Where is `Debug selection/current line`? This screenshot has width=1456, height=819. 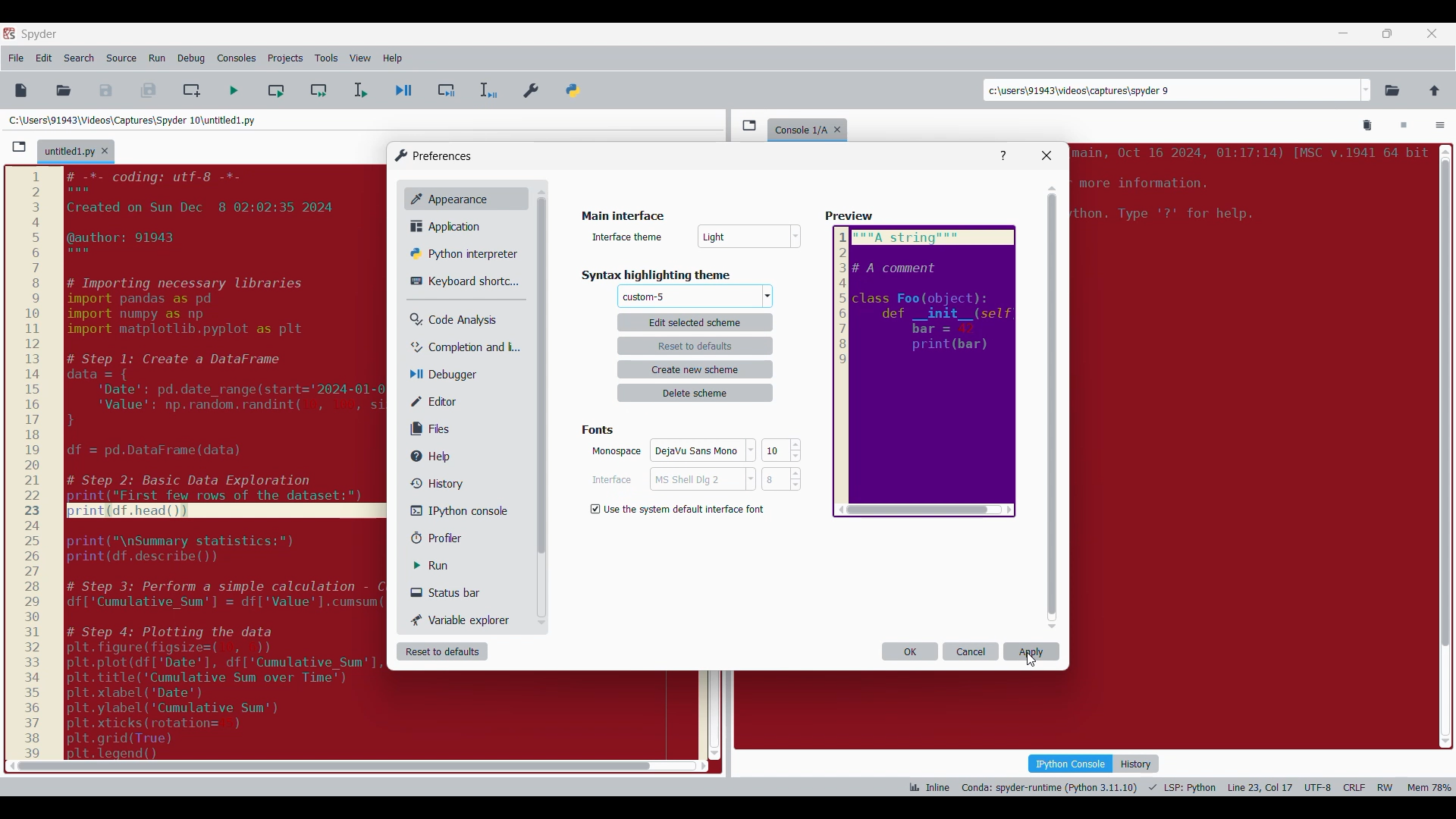 Debug selection/current line is located at coordinates (487, 90).